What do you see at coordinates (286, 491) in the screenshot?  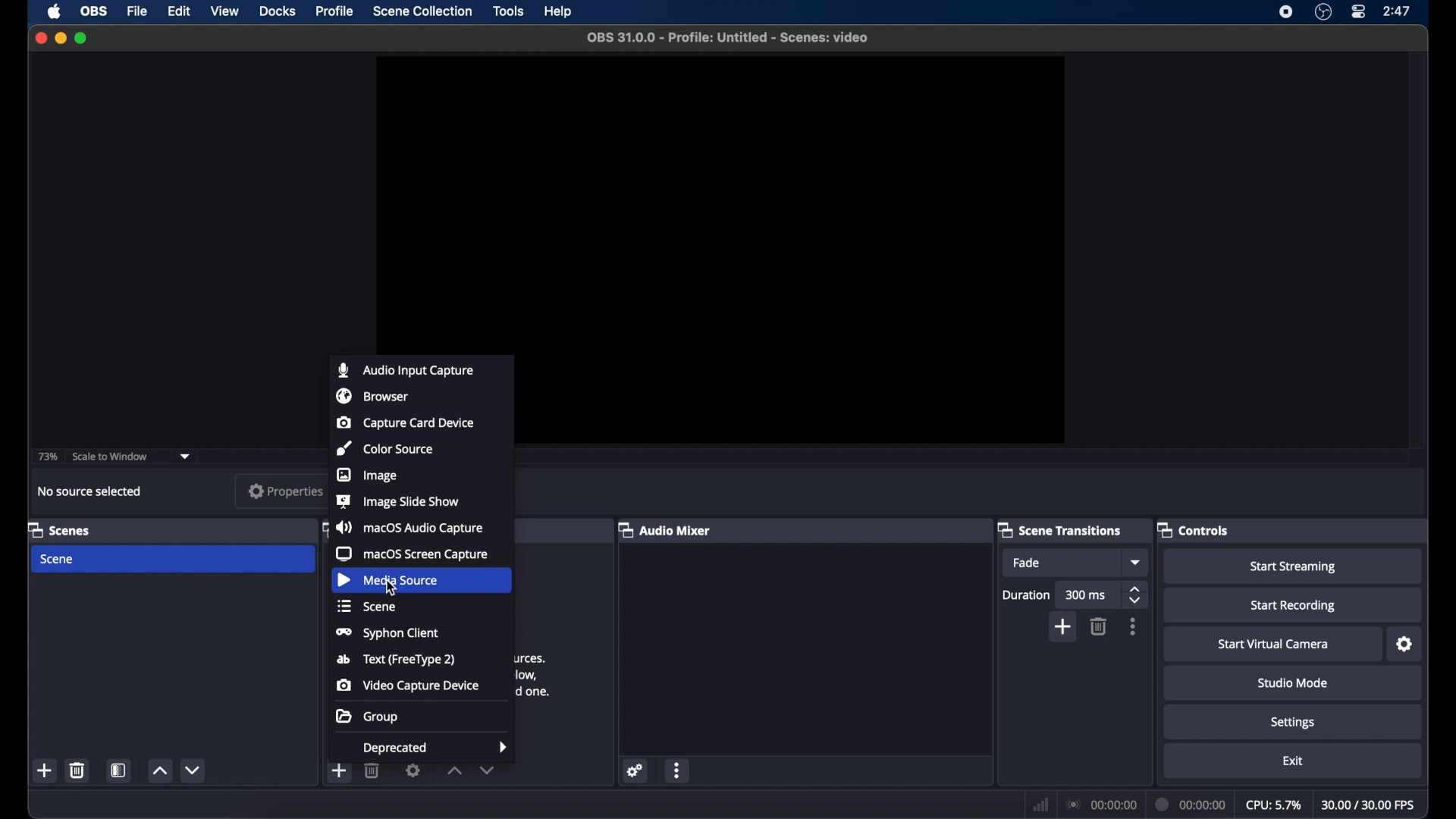 I see `properties` at bounding box center [286, 491].